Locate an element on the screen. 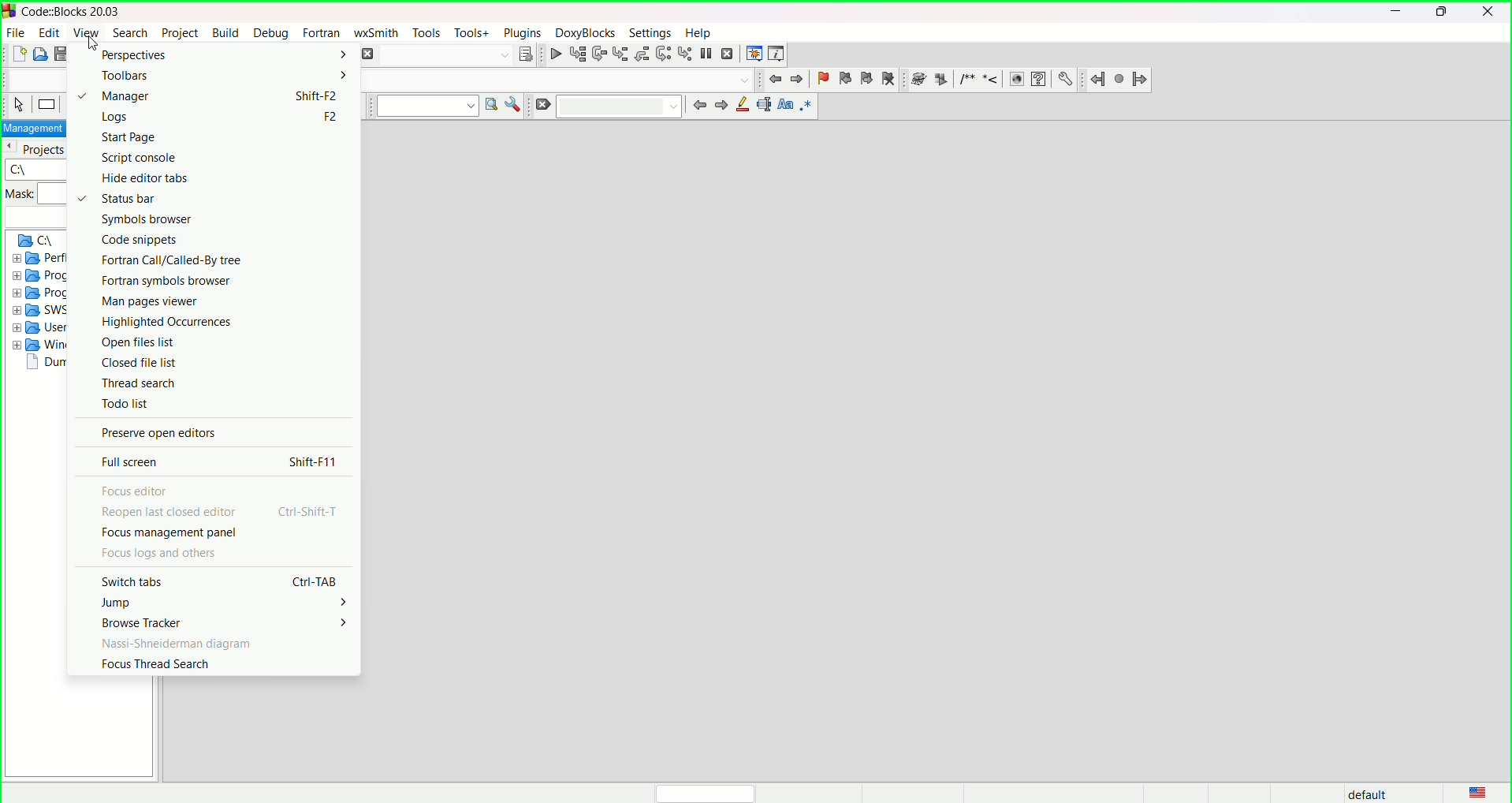 This screenshot has width=1512, height=803. fortran is located at coordinates (322, 32).